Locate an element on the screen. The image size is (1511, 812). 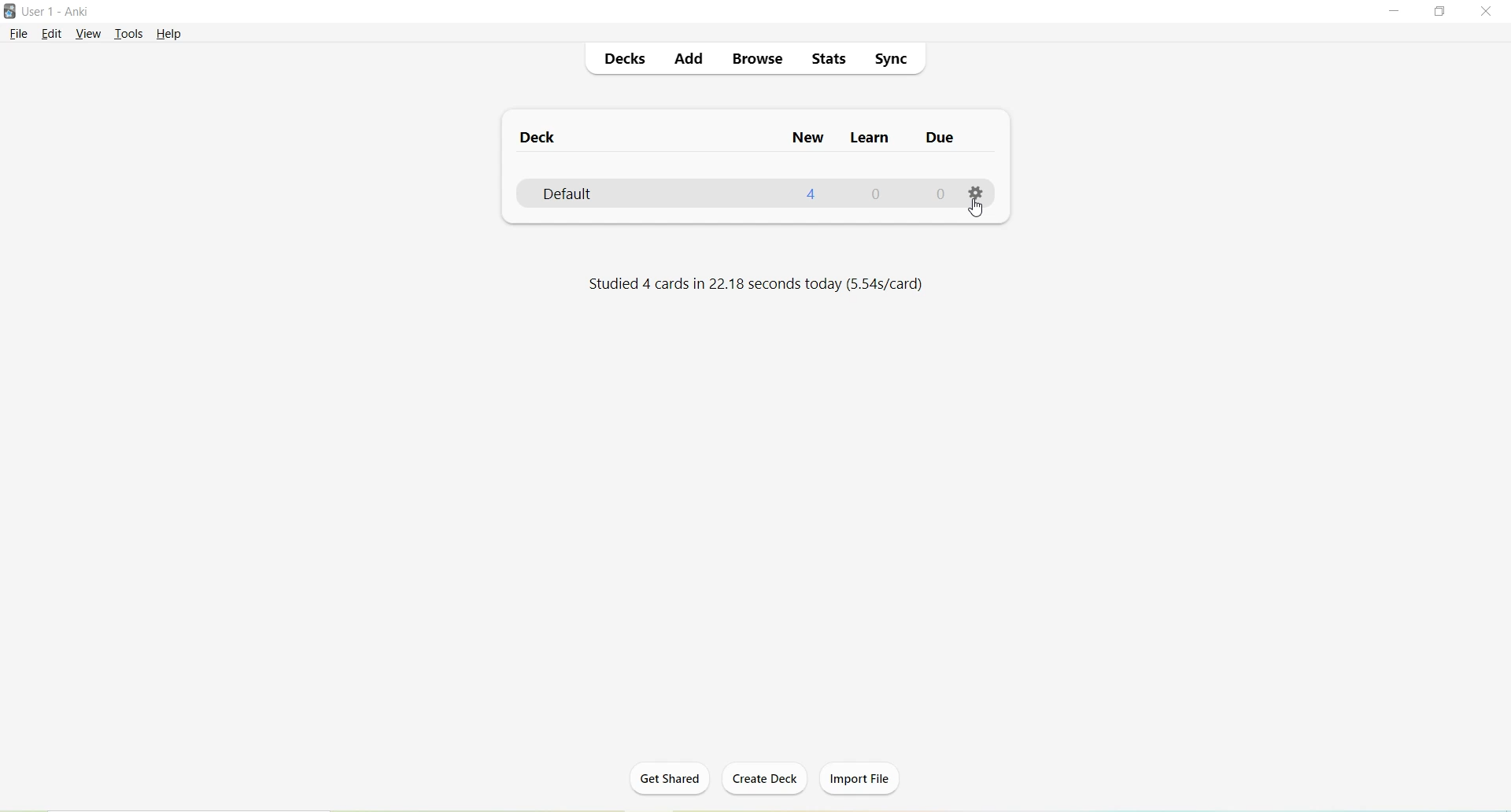
Logo is located at coordinates (9, 12).